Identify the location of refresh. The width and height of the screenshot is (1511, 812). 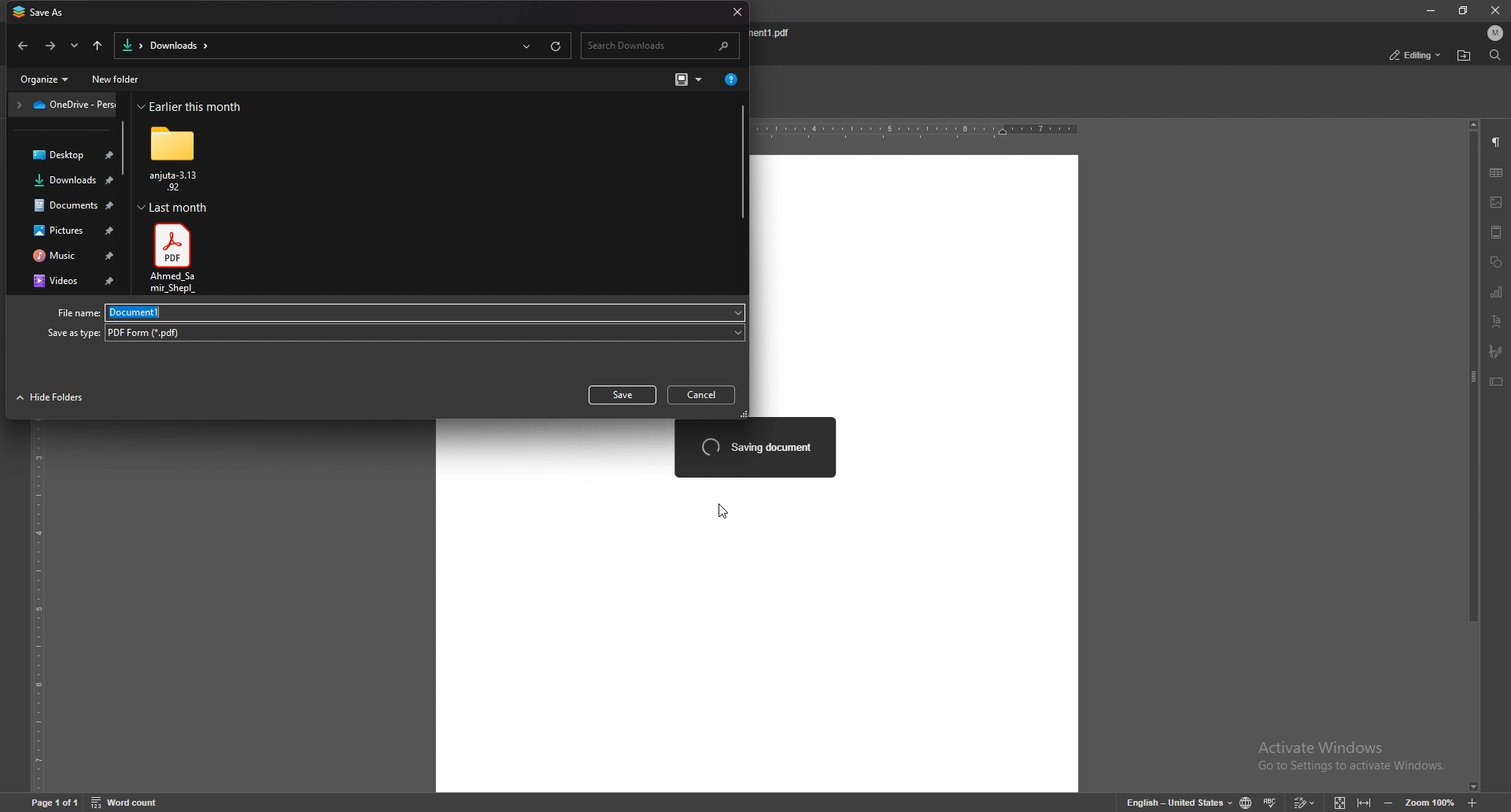
(556, 46).